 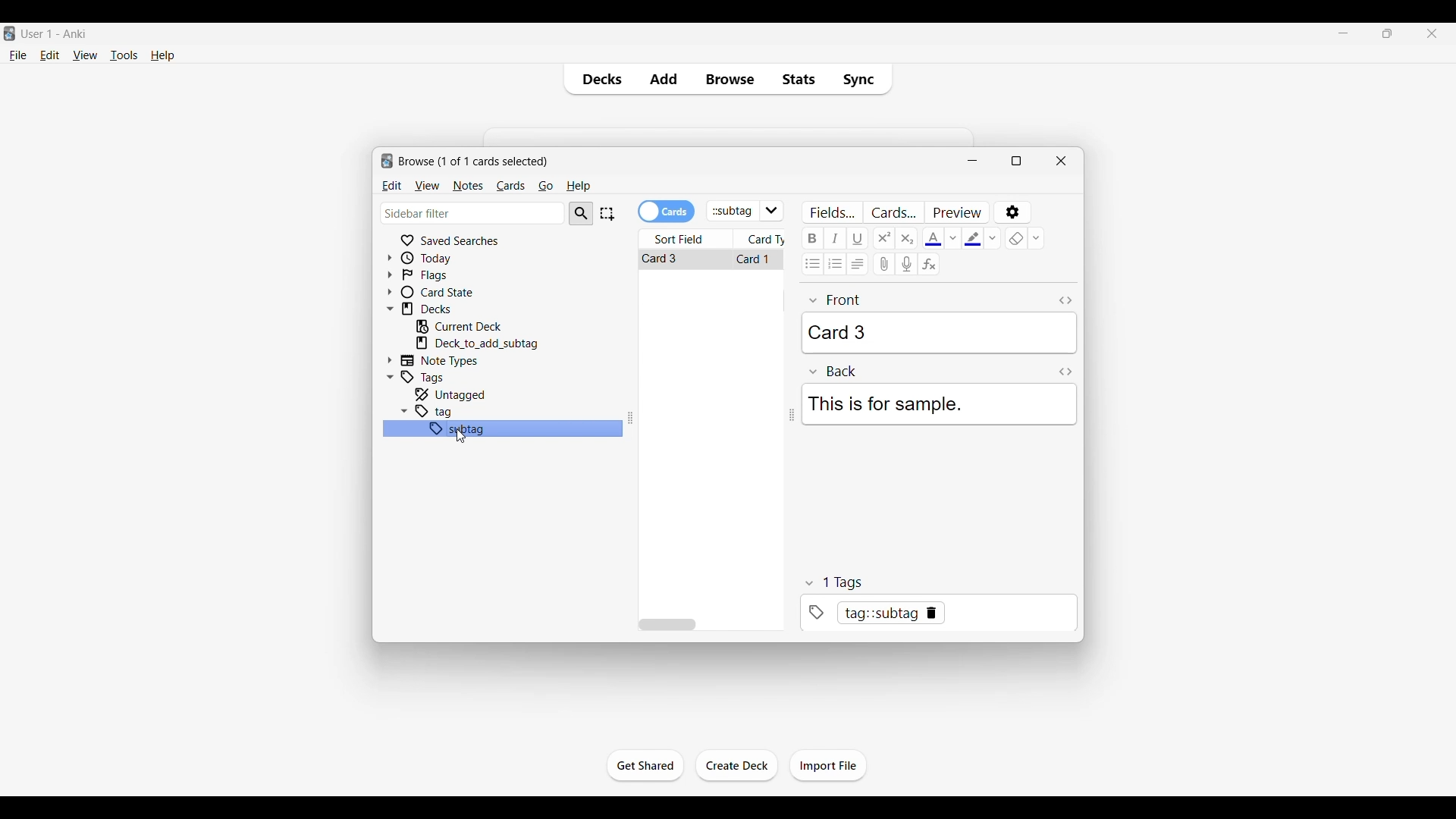 What do you see at coordinates (836, 300) in the screenshot?
I see `front` at bounding box center [836, 300].